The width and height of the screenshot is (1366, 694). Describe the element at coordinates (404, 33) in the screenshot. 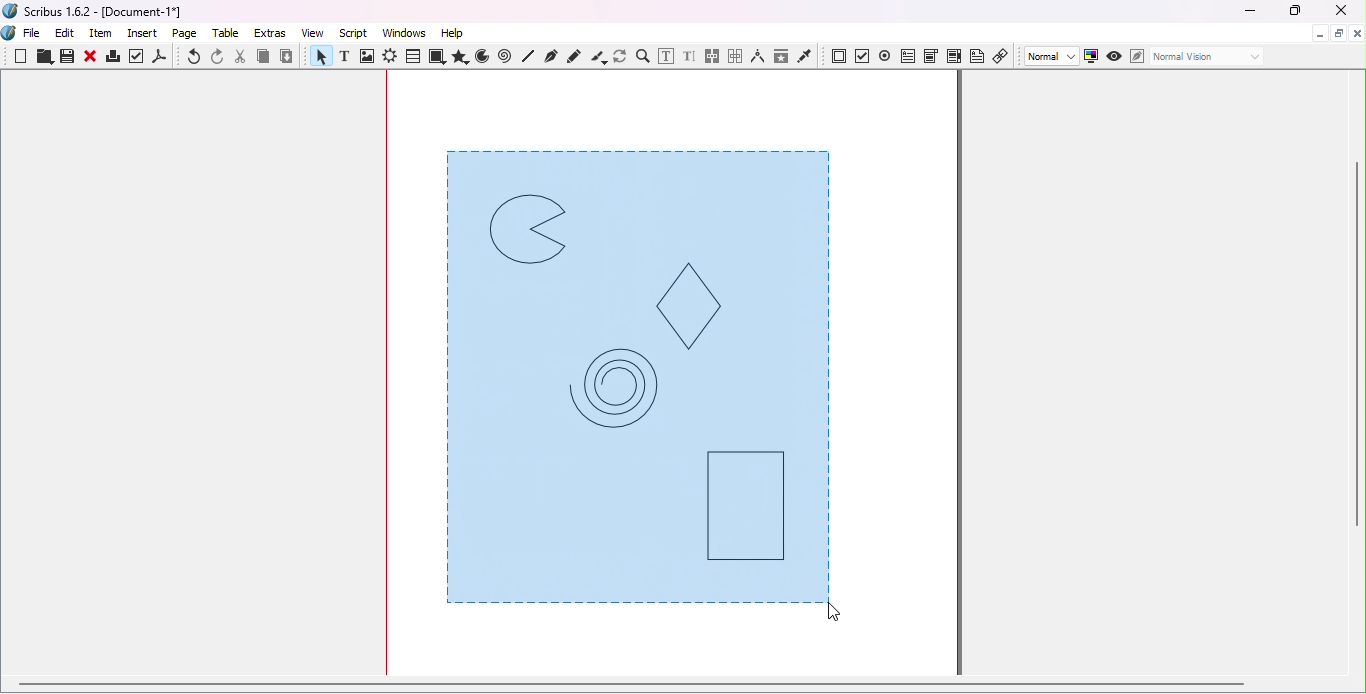

I see `Windows` at that location.